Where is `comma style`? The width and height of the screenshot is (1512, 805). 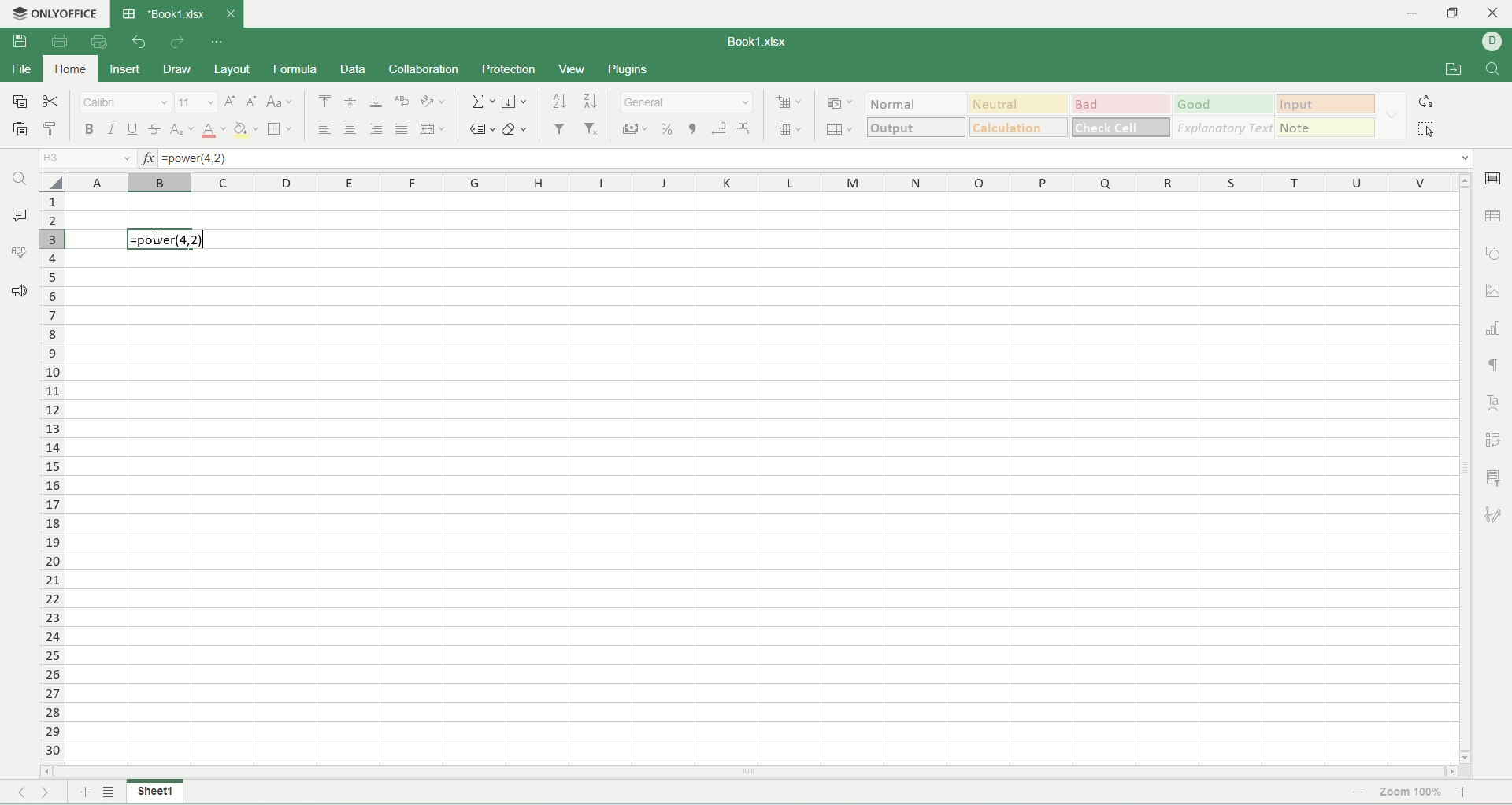
comma style is located at coordinates (695, 129).